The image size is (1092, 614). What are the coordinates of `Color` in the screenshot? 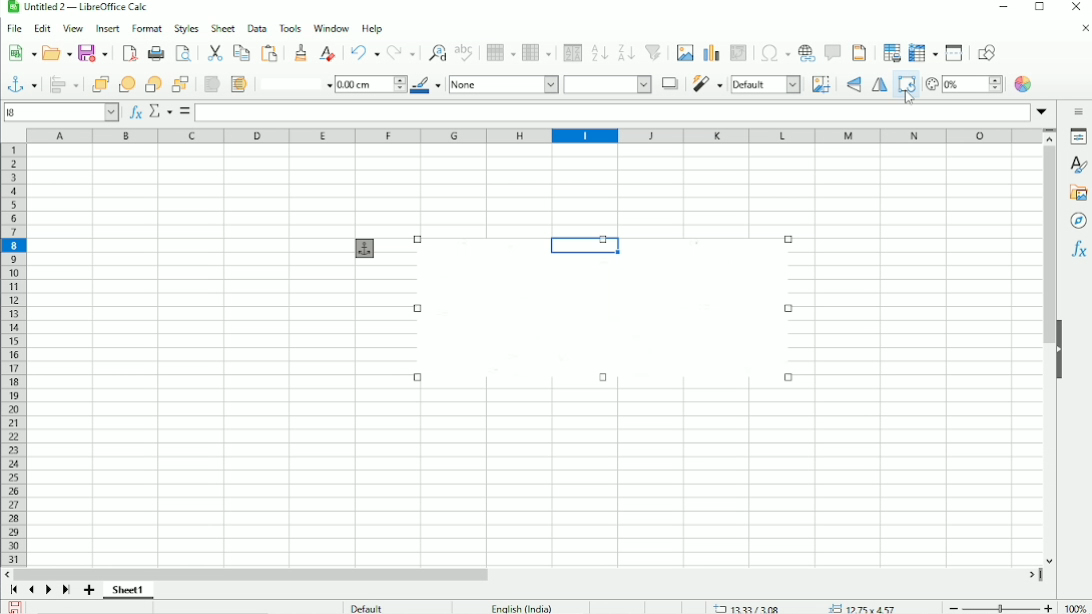 It's located at (1024, 84).